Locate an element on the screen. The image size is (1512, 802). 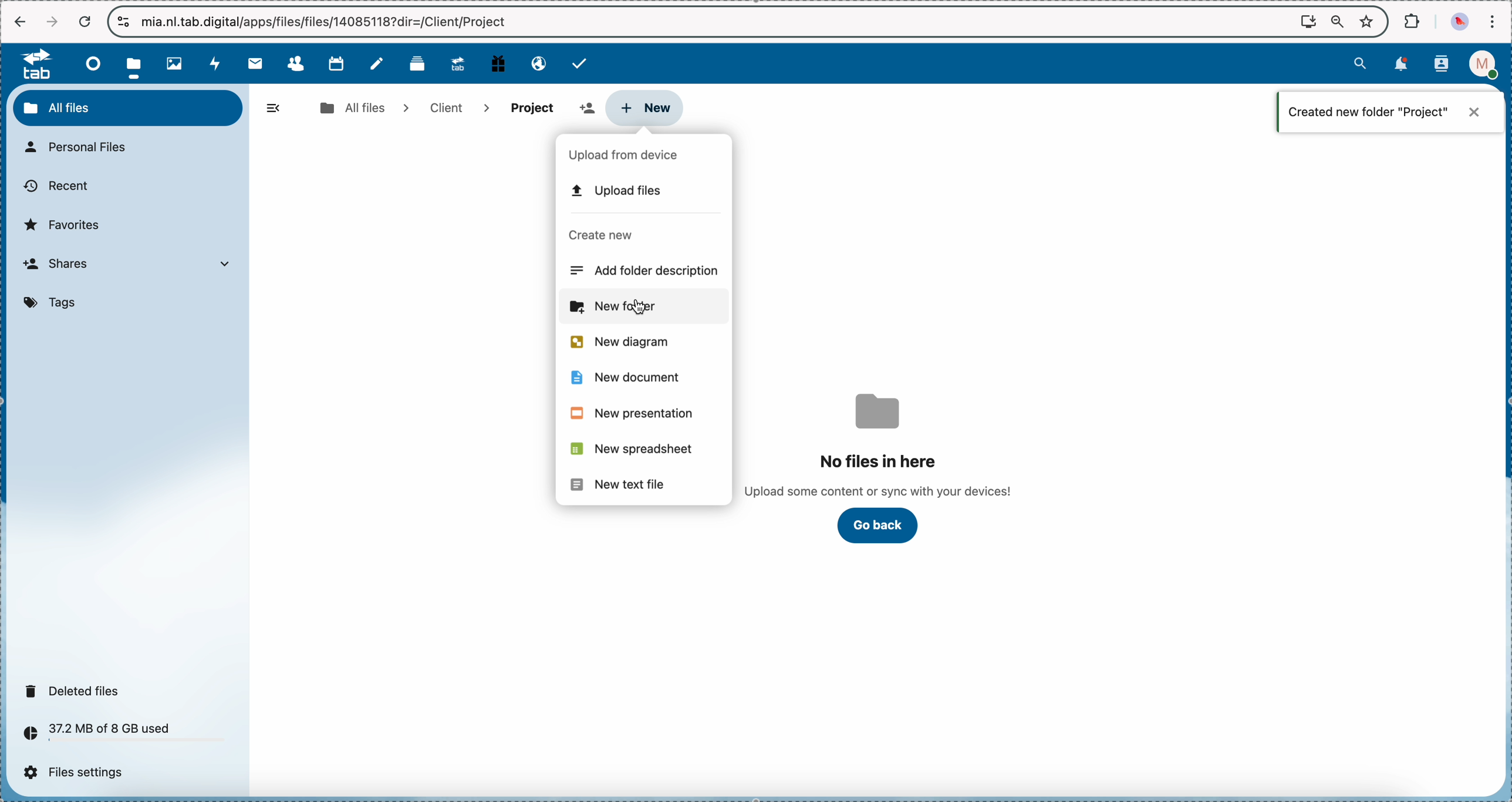
client is located at coordinates (454, 108).